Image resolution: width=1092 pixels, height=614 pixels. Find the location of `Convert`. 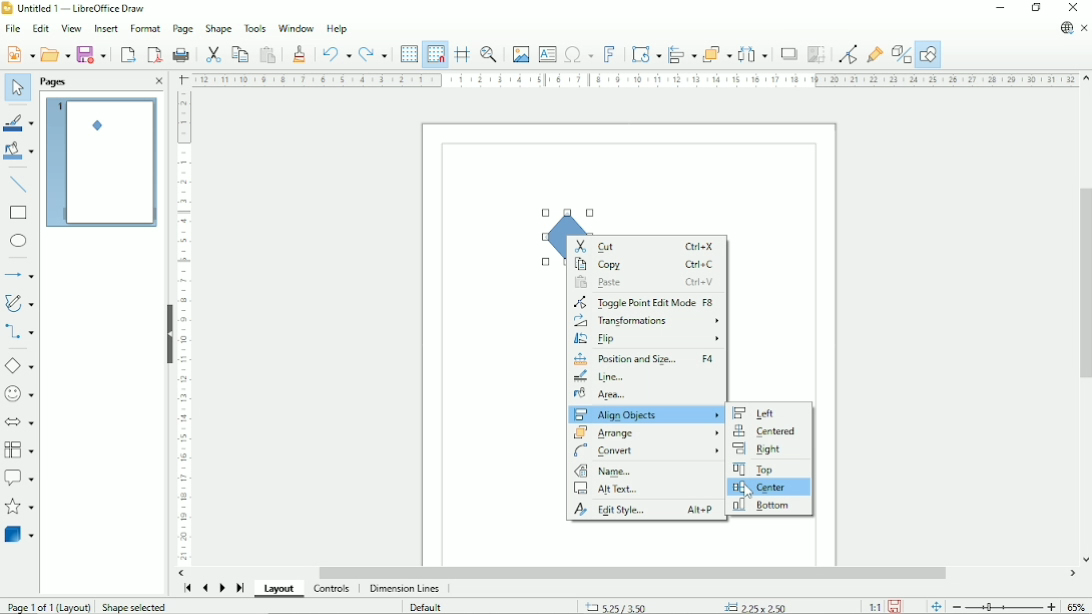

Convert is located at coordinates (645, 450).